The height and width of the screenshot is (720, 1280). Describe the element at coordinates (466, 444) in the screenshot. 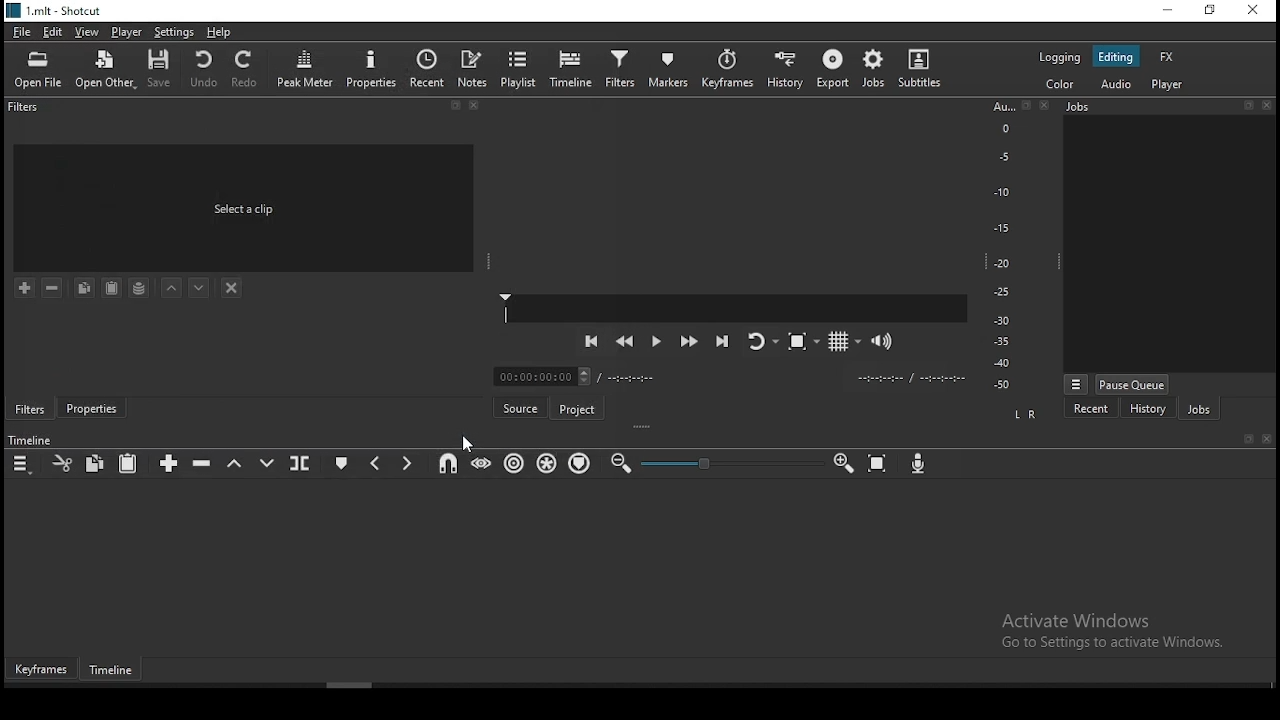

I see `mouse pointer` at that location.